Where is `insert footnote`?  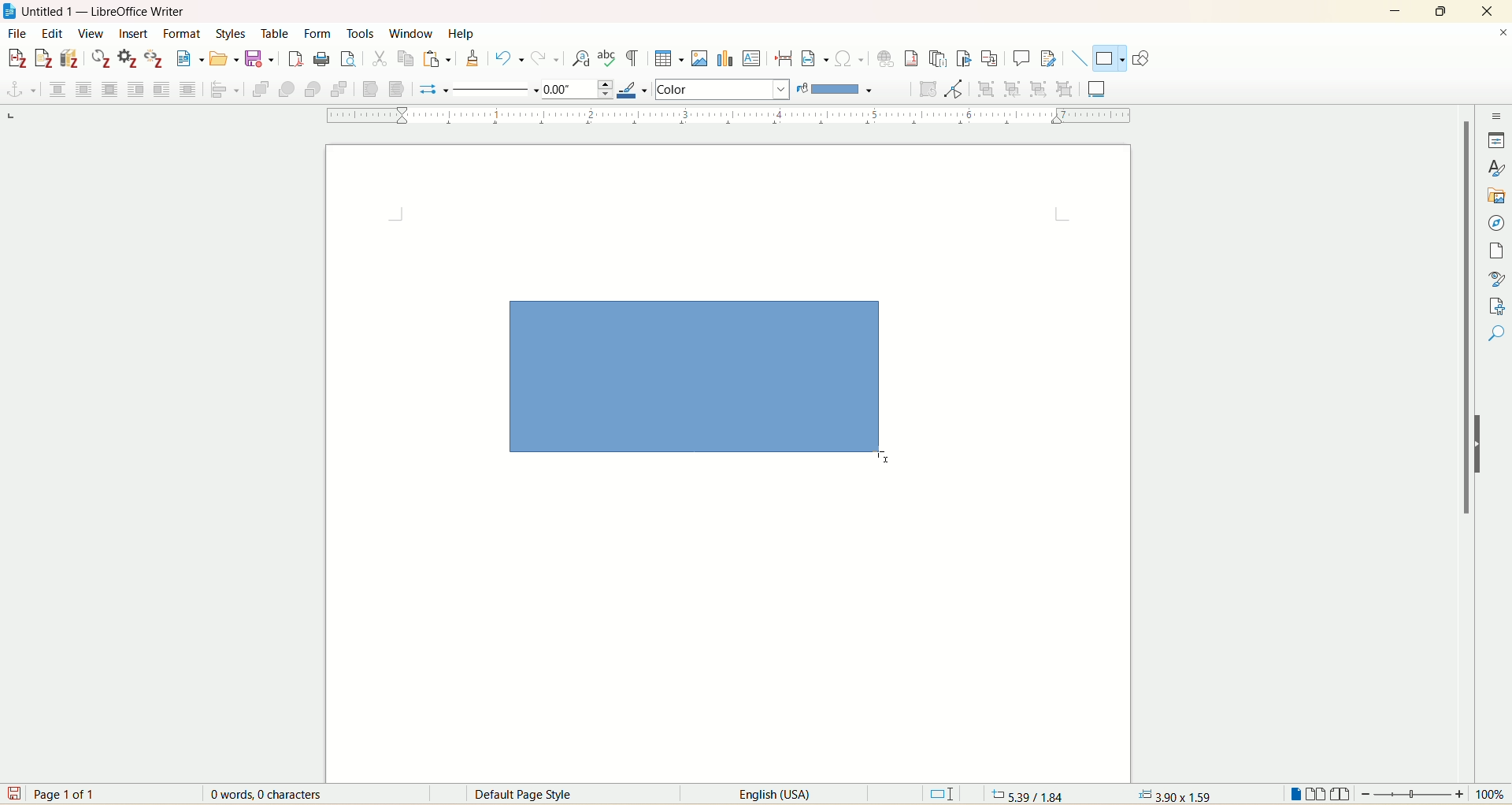
insert footnote is located at coordinates (916, 58).